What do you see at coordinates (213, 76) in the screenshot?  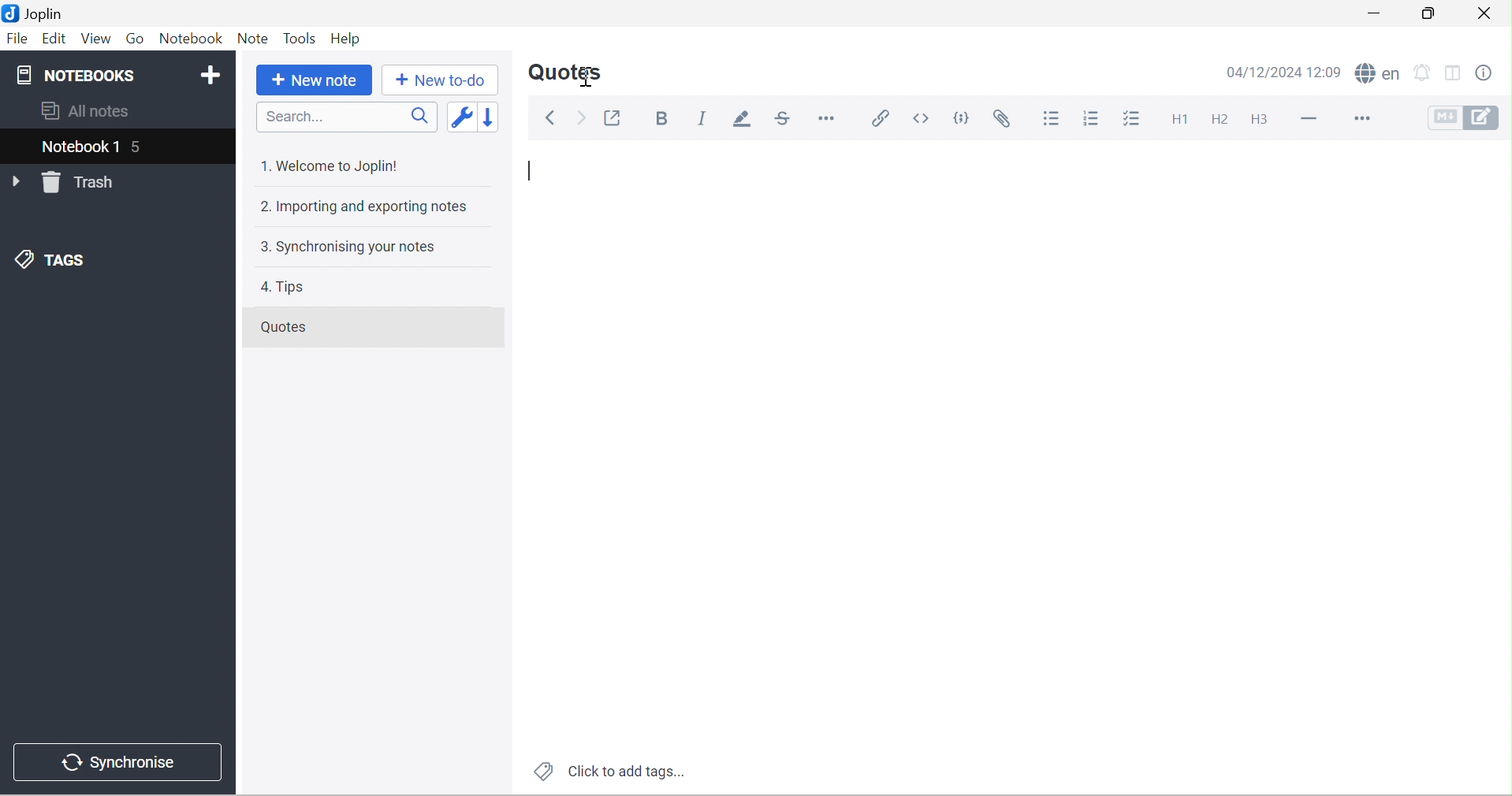 I see `Add notebook` at bounding box center [213, 76].